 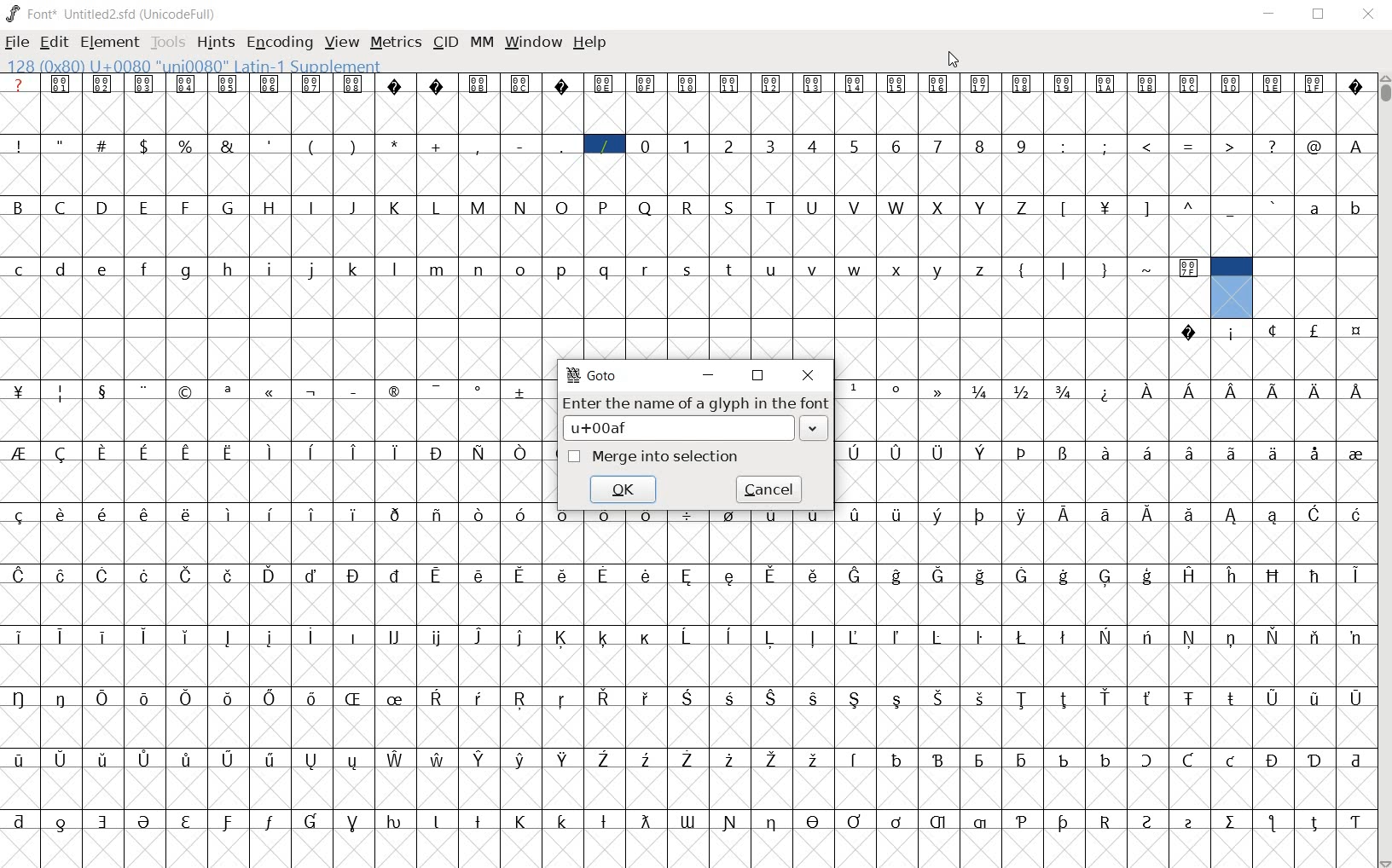 I want to click on o, so click(x=521, y=269).